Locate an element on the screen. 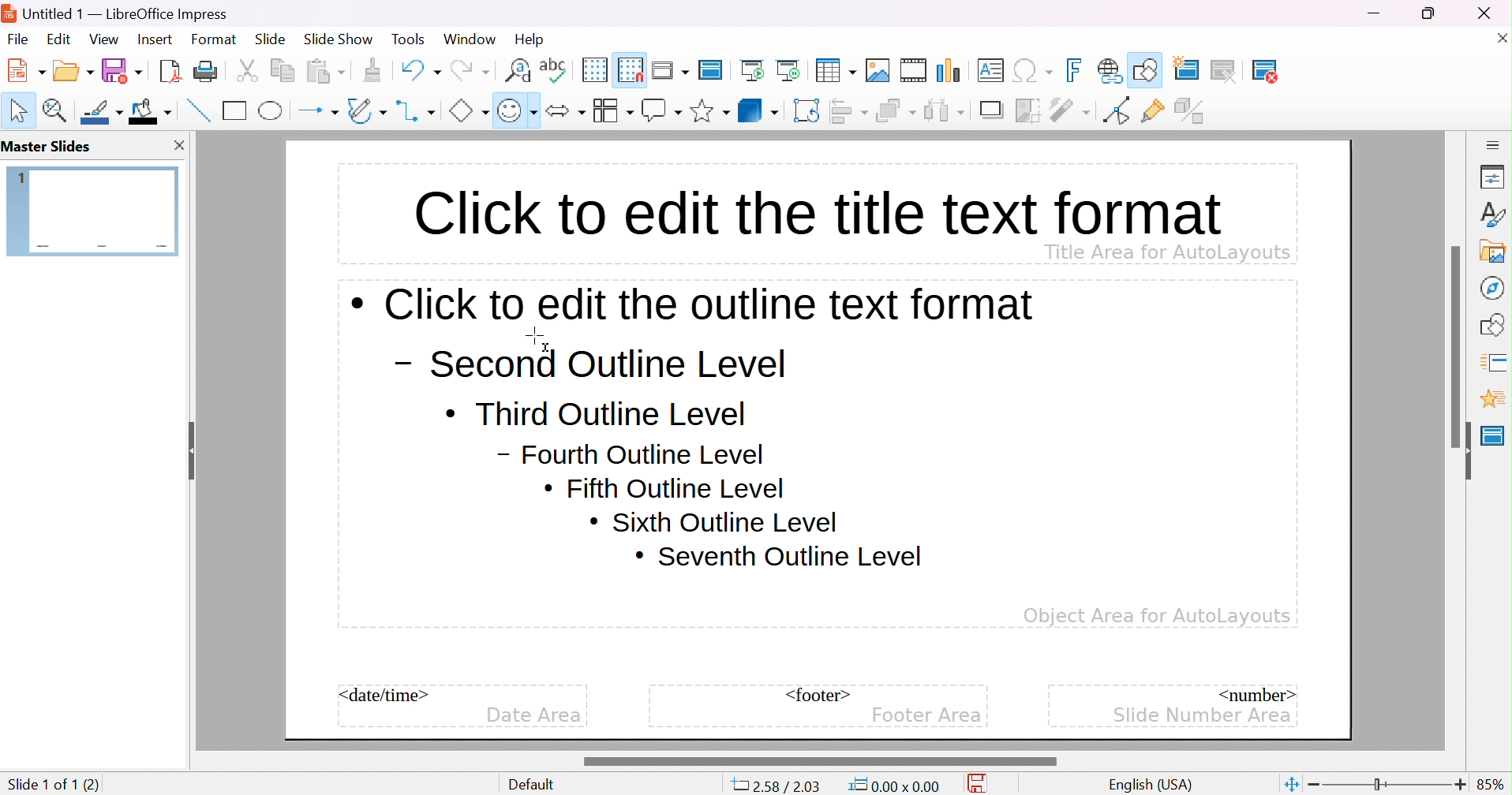  insert audio or video is located at coordinates (912, 70).